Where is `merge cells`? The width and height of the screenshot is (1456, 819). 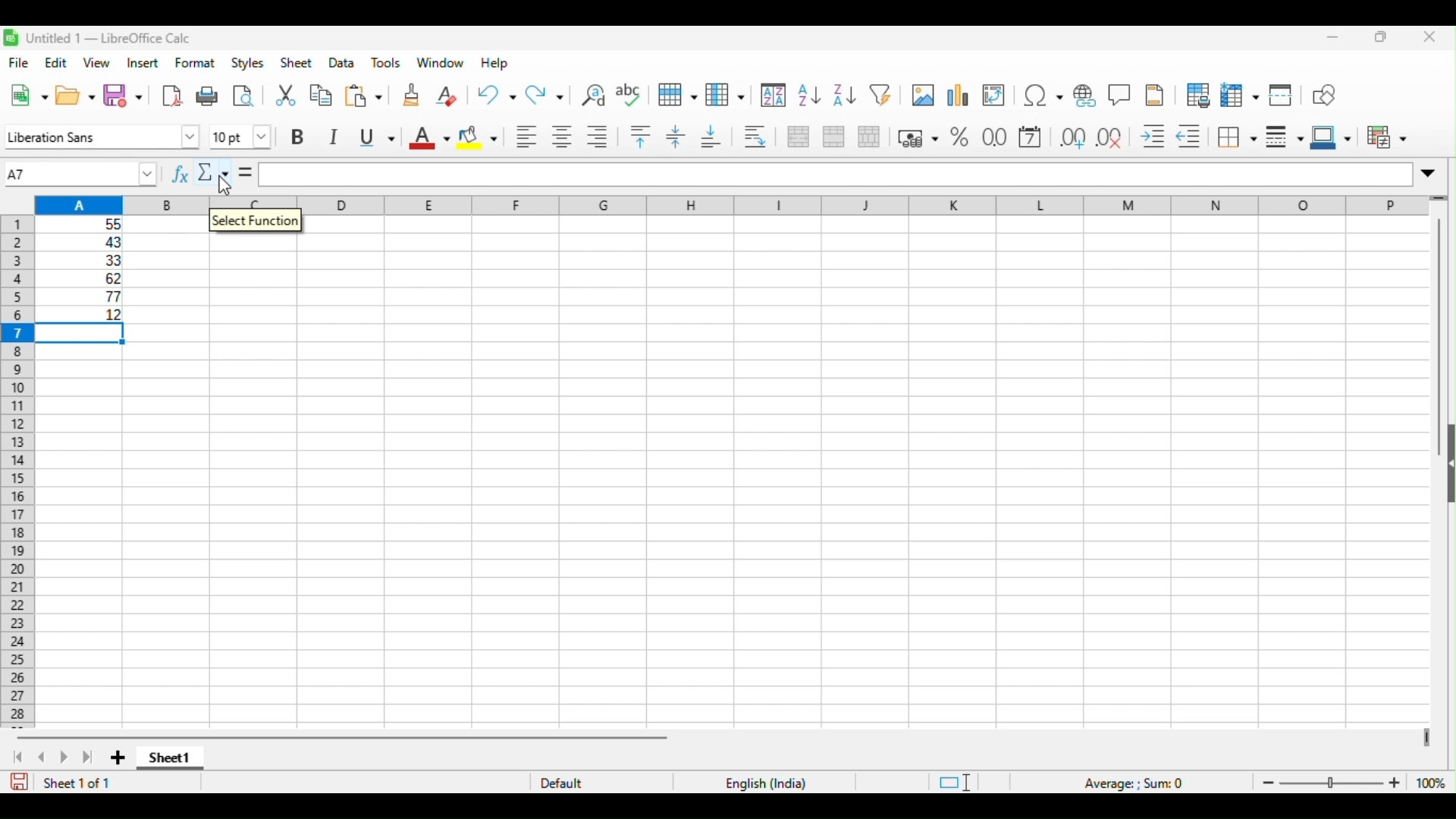
merge cells is located at coordinates (833, 137).